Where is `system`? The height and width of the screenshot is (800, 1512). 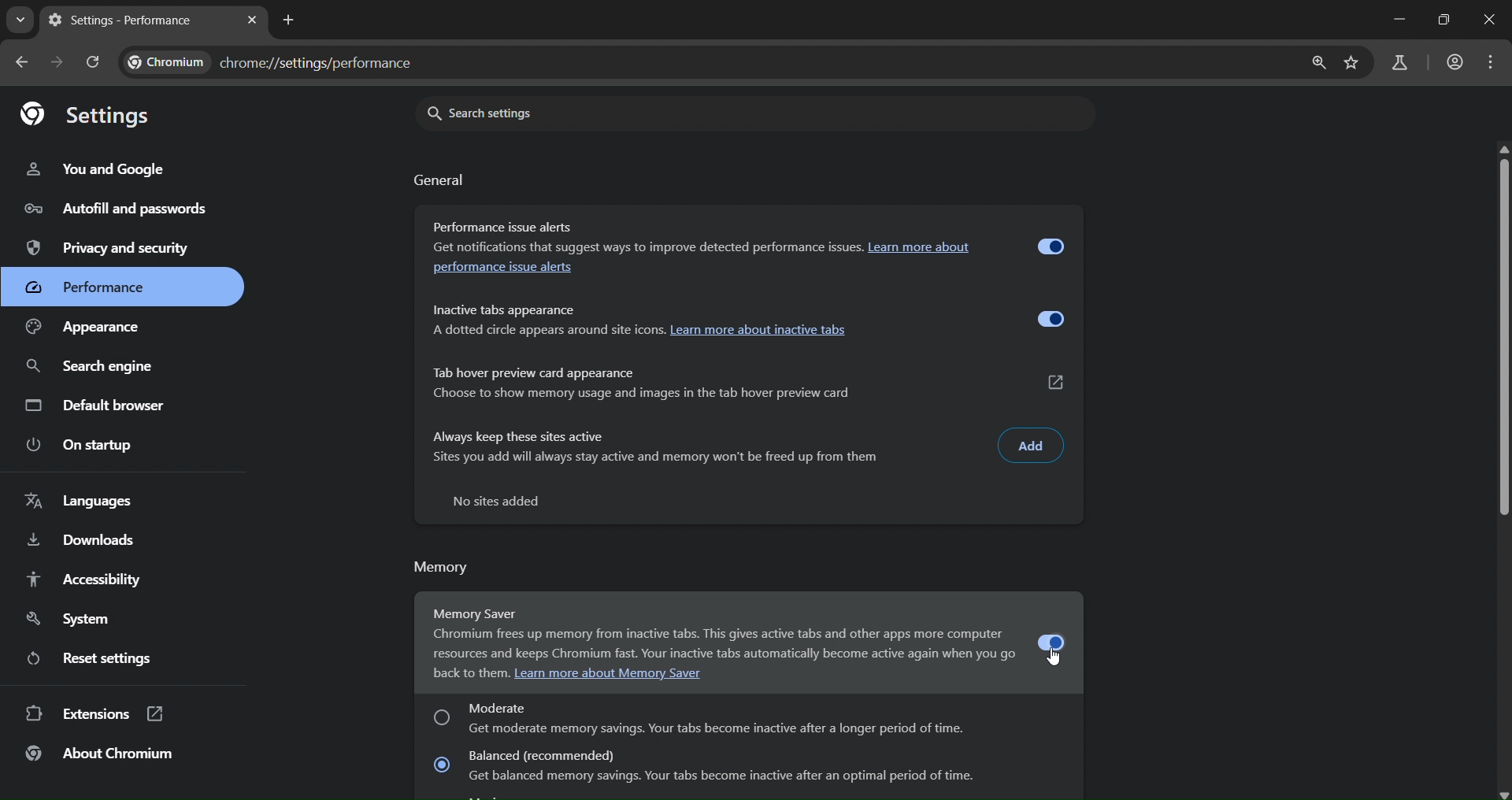
system is located at coordinates (74, 620).